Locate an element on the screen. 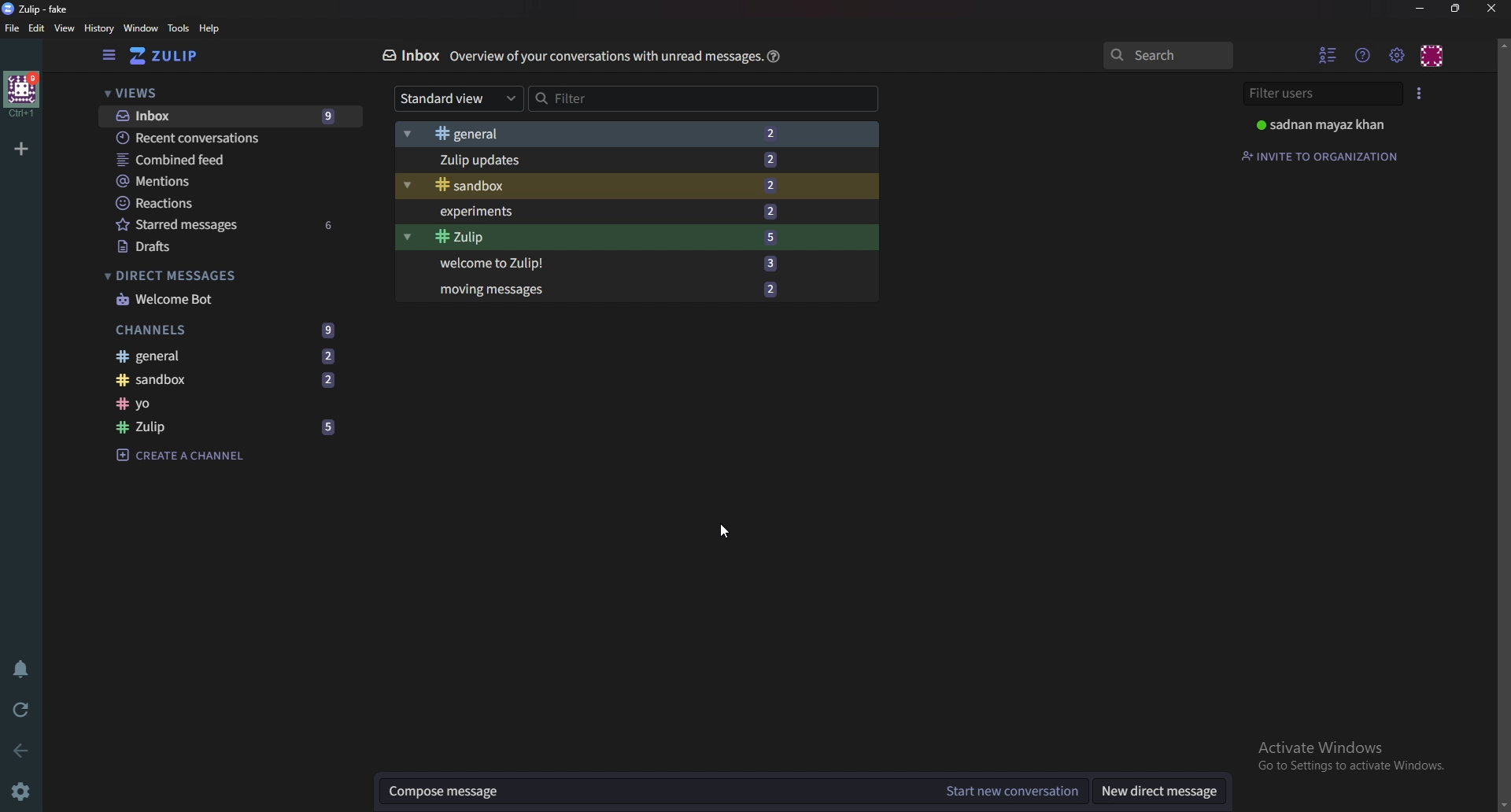 This screenshot has height=812, width=1511. Experiments is located at coordinates (614, 212).